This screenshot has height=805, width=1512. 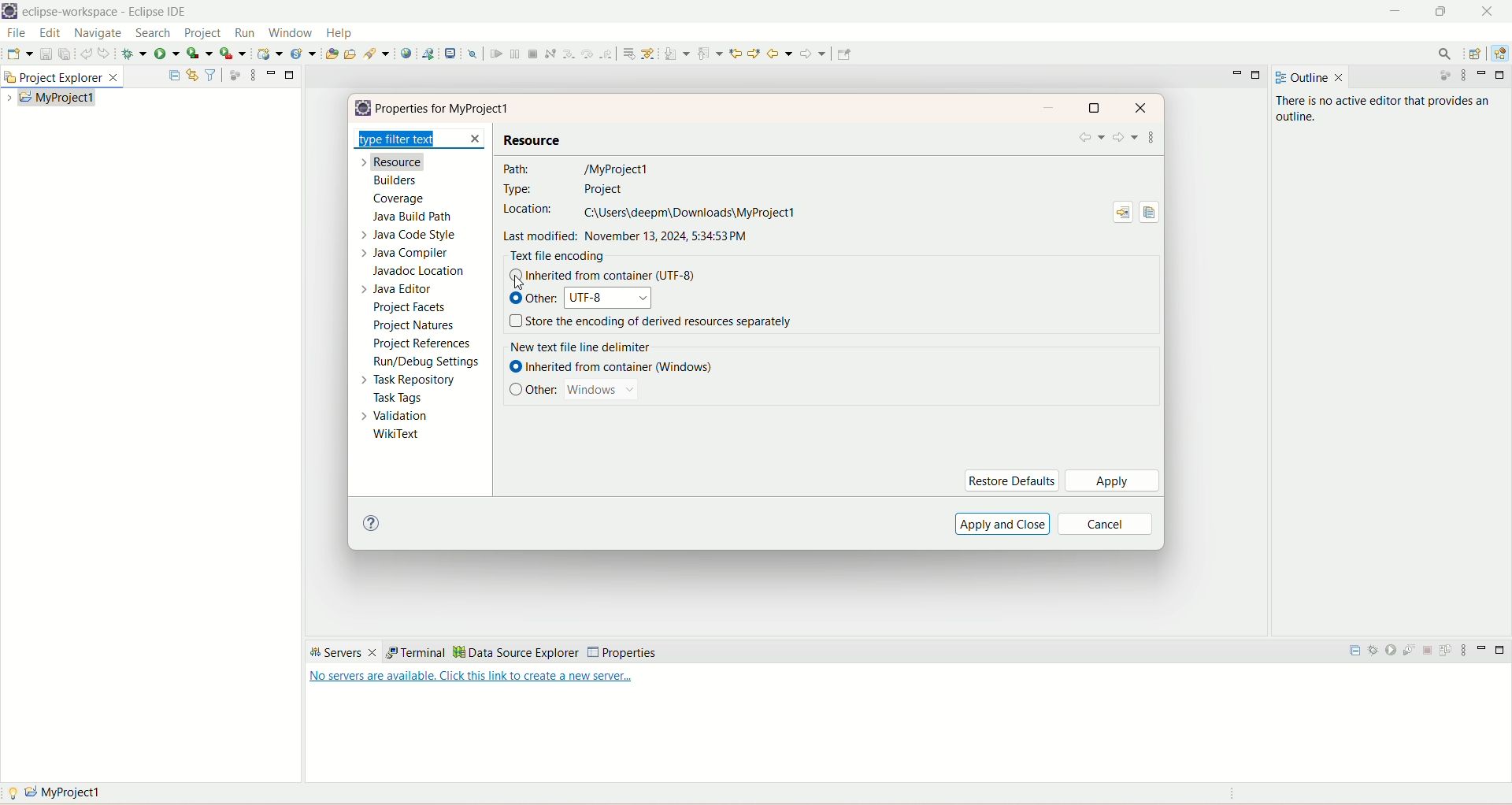 What do you see at coordinates (204, 33) in the screenshot?
I see `project` at bounding box center [204, 33].